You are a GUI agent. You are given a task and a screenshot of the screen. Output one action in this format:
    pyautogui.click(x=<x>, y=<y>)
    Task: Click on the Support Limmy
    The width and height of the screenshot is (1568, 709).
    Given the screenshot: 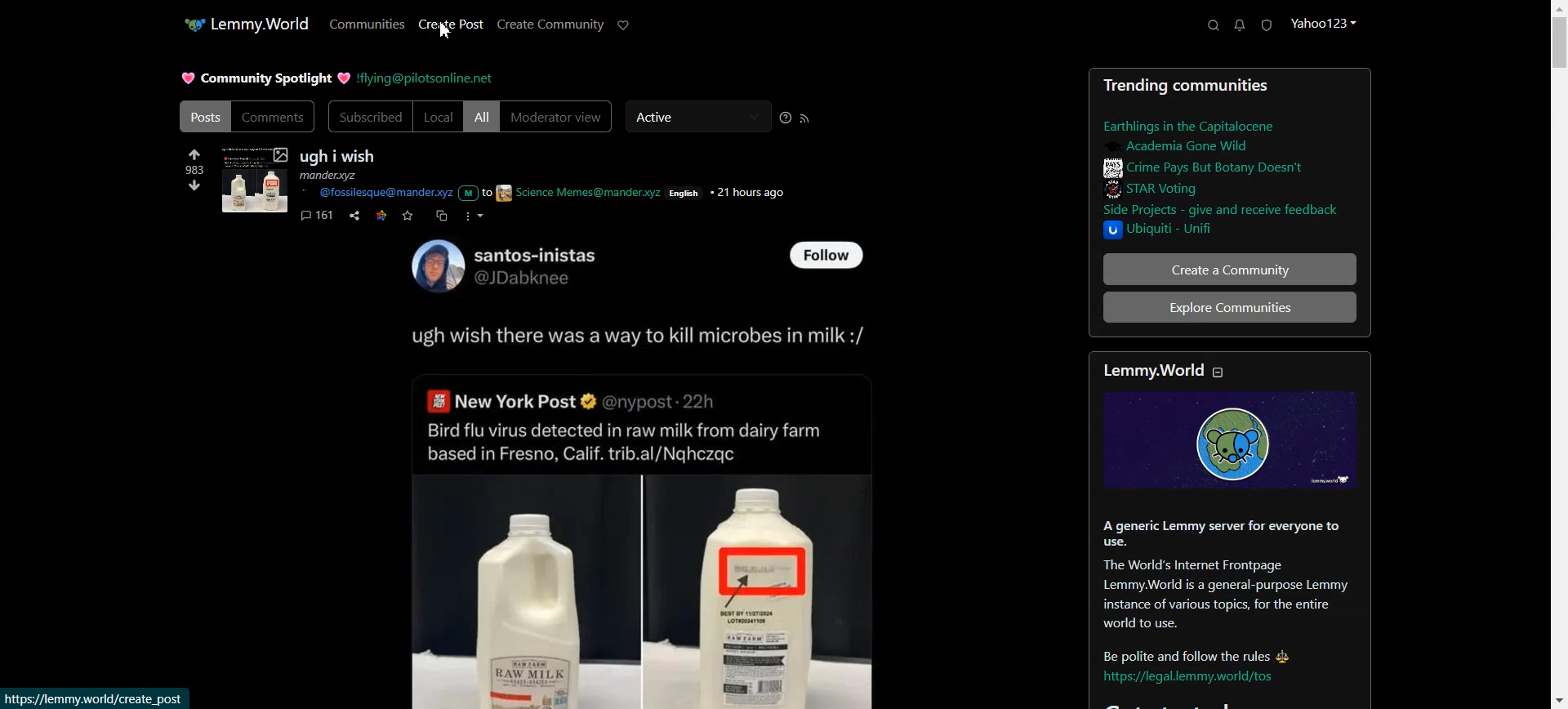 What is the action you would take?
    pyautogui.click(x=624, y=25)
    